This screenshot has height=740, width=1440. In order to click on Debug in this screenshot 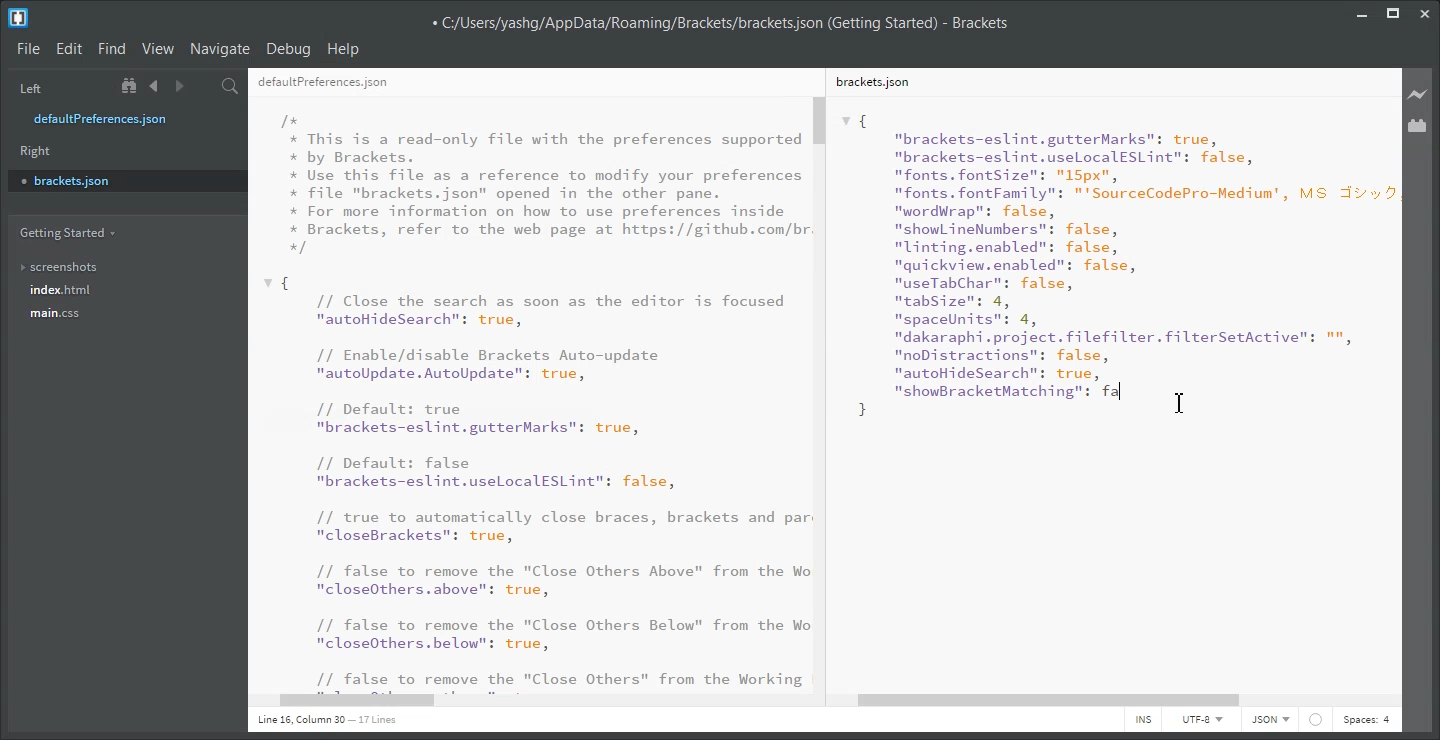, I will do `click(289, 50)`.